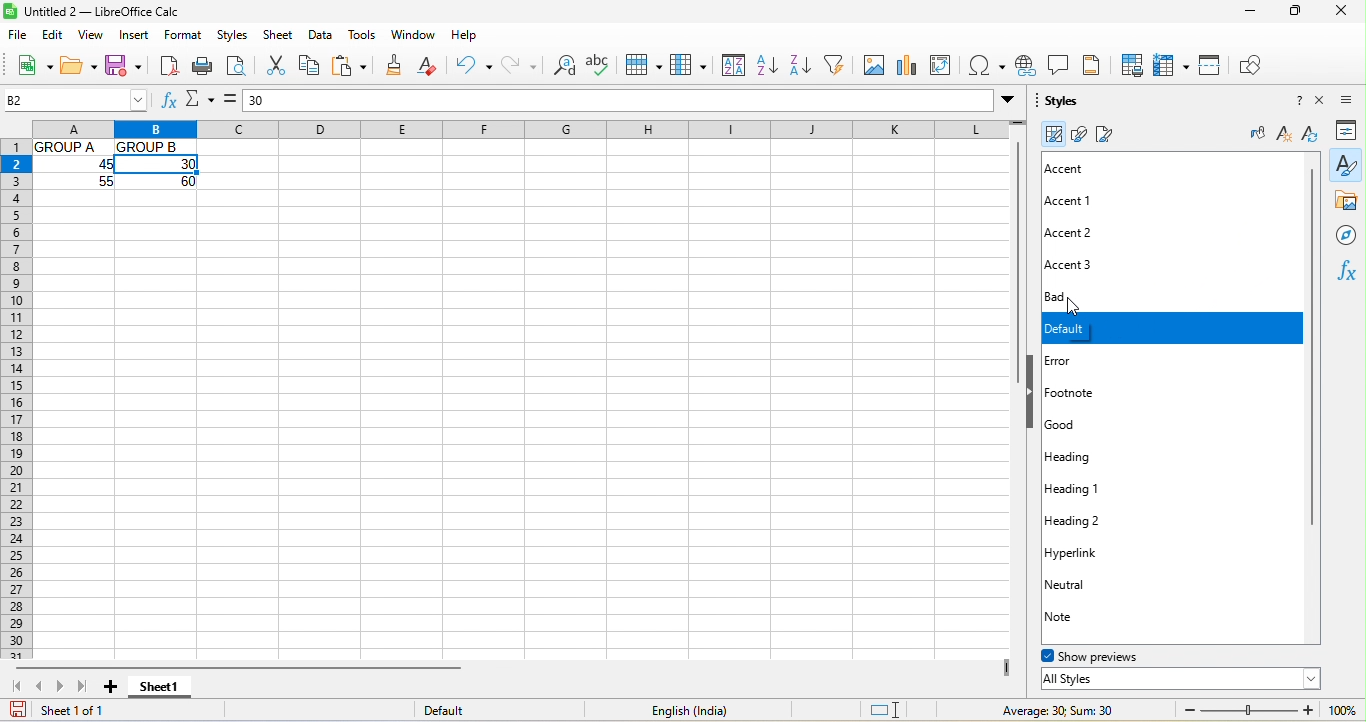 The image size is (1366, 722). Describe the element at coordinates (1100, 393) in the screenshot. I see `footnote` at that location.